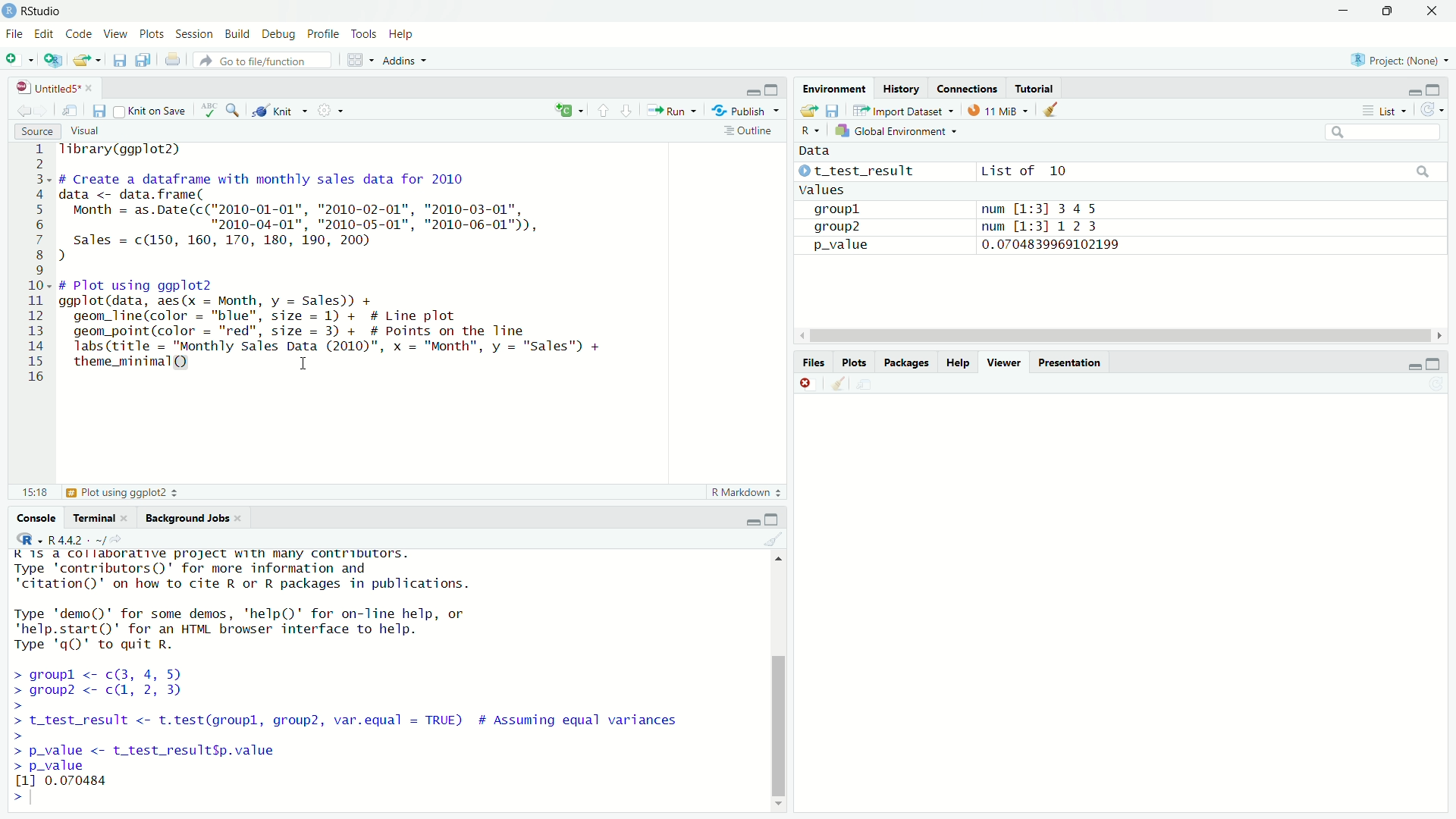 The width and height of the screenshot is (1456, 819). What do you see at coordinates (52, 60) in the screenshot?
I see `new project` at bounding box center [52, 60].